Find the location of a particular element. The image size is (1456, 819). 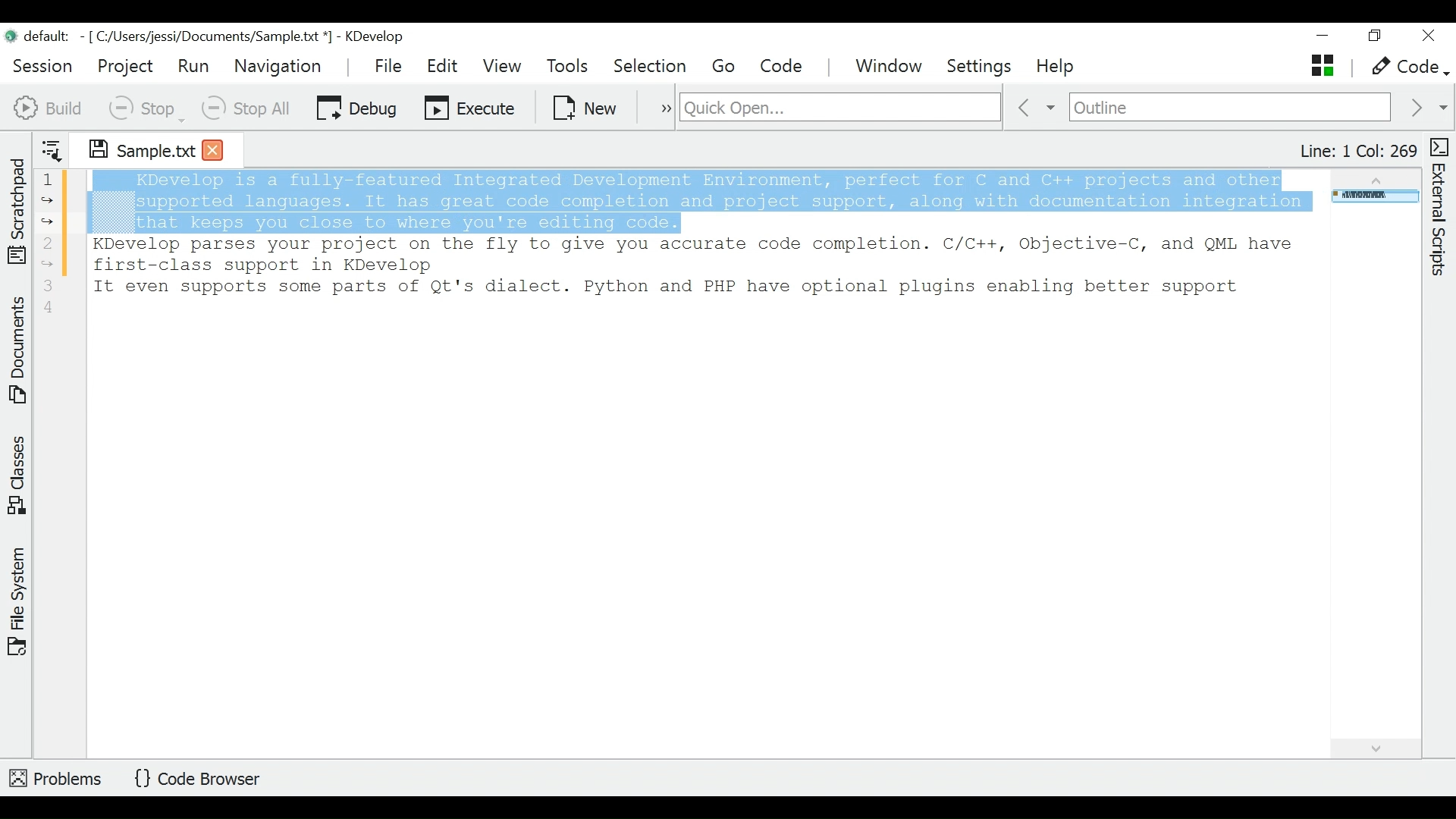

more options is located at coordinates (658, 106).